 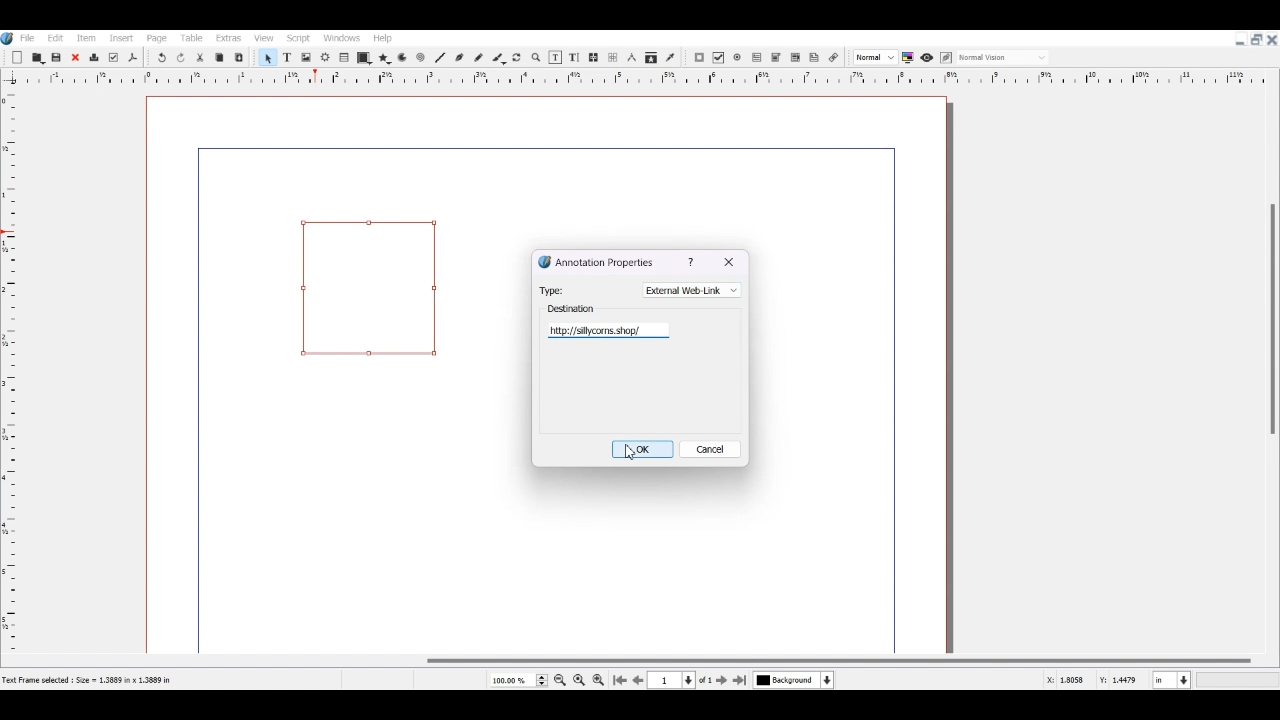 I want to click on File, so click(x=29, y=37).